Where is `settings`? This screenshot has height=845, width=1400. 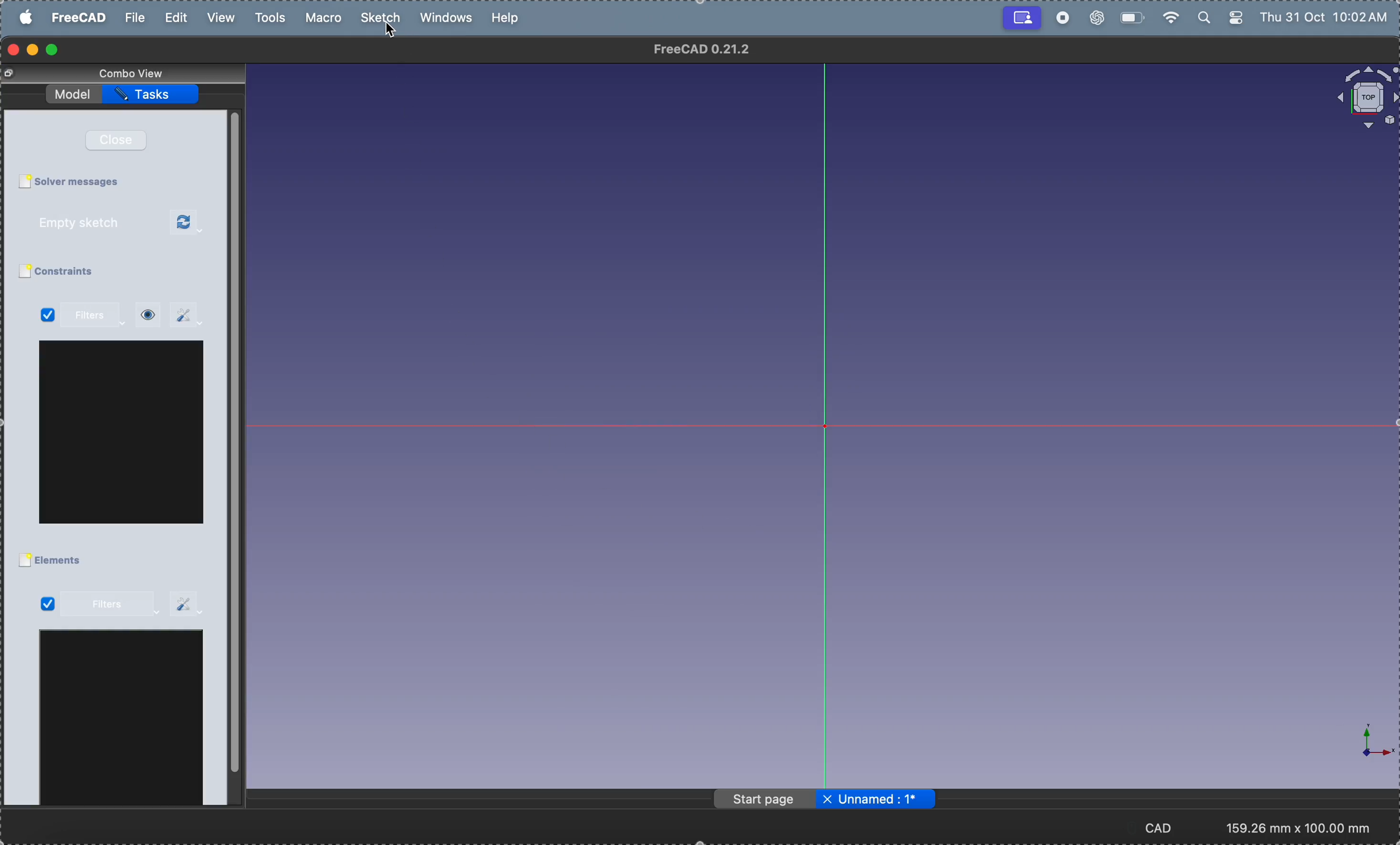 settings is located at coordinates (188, 603).